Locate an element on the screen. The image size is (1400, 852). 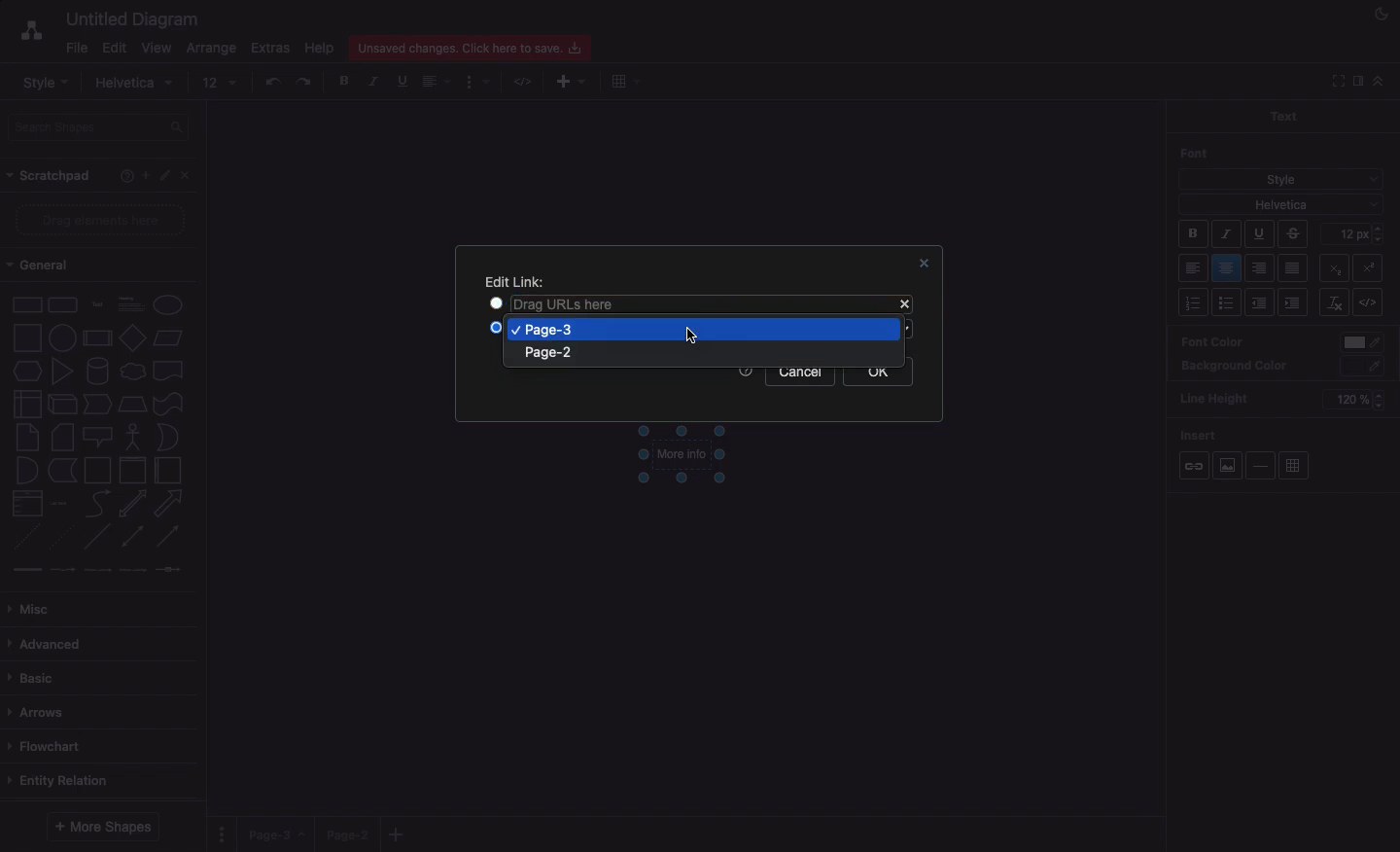
list item is located at coordinates (59, 504).